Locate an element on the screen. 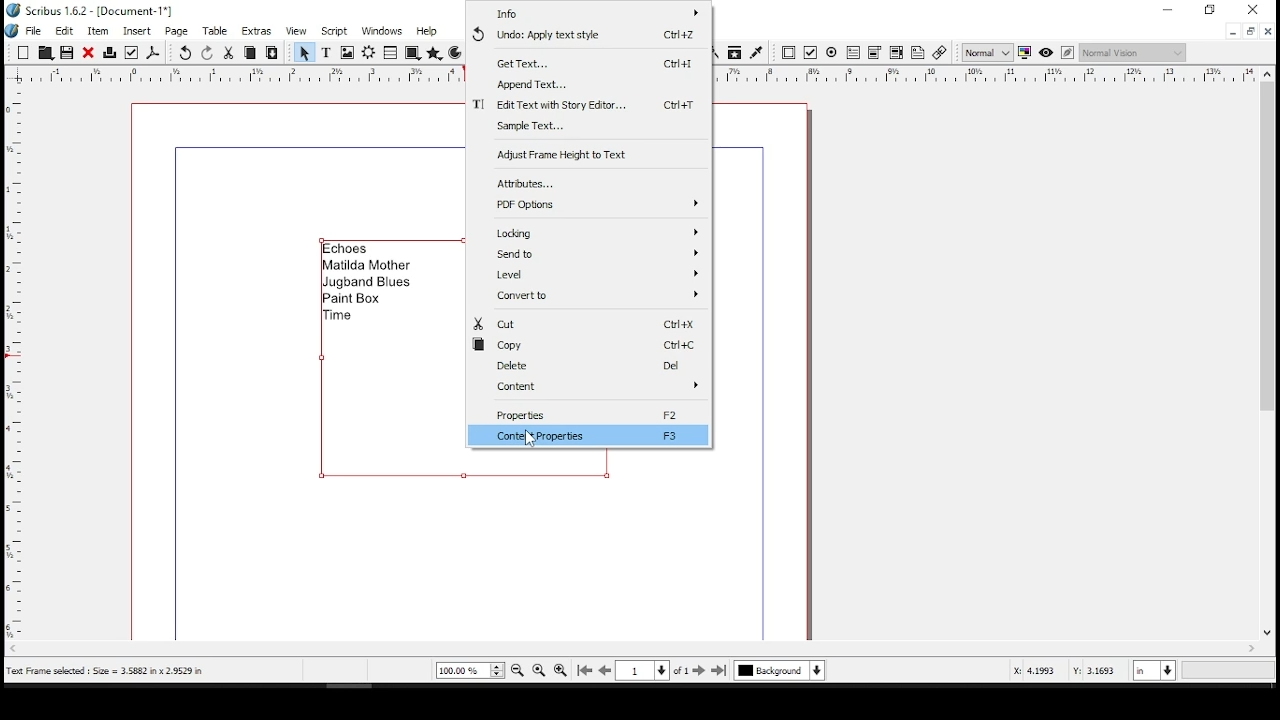  zoom to 100% is located at coordinates (539, 669).